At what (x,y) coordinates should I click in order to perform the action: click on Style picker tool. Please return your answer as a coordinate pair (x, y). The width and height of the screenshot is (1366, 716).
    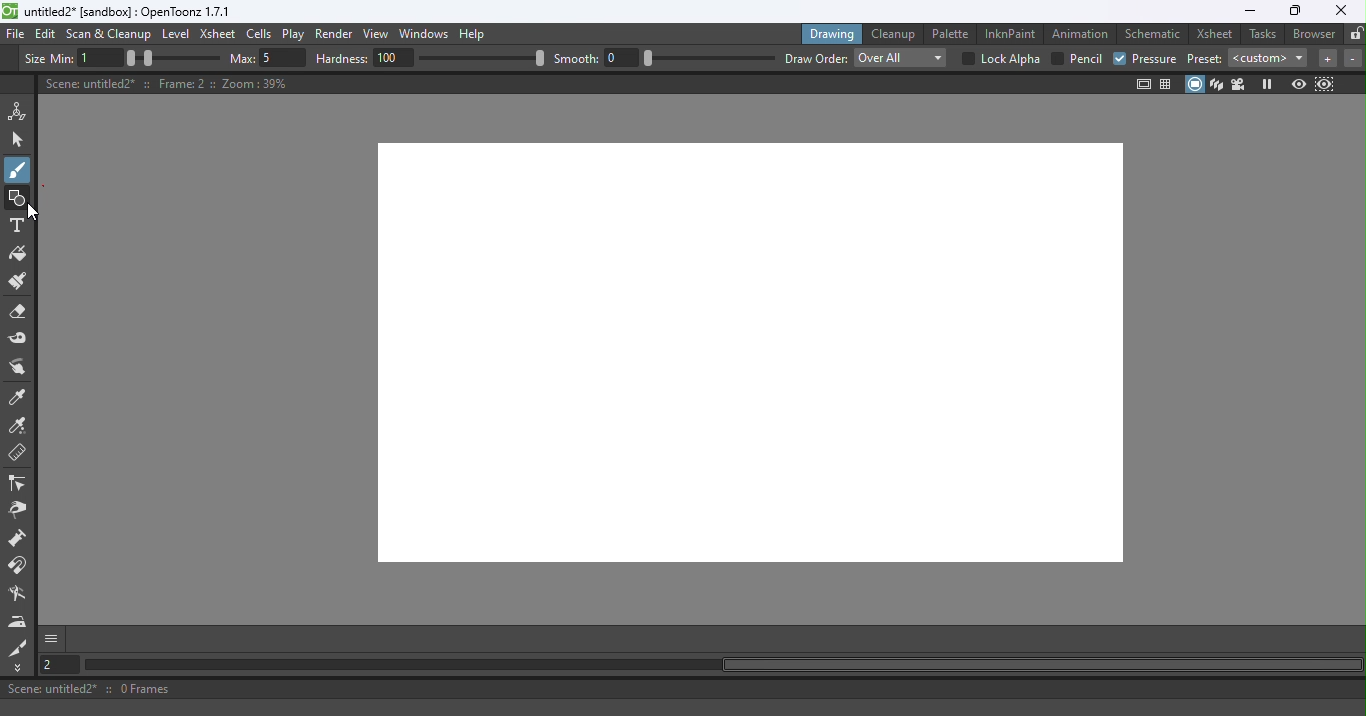
    Looking at the image, I should click on (19, 398).